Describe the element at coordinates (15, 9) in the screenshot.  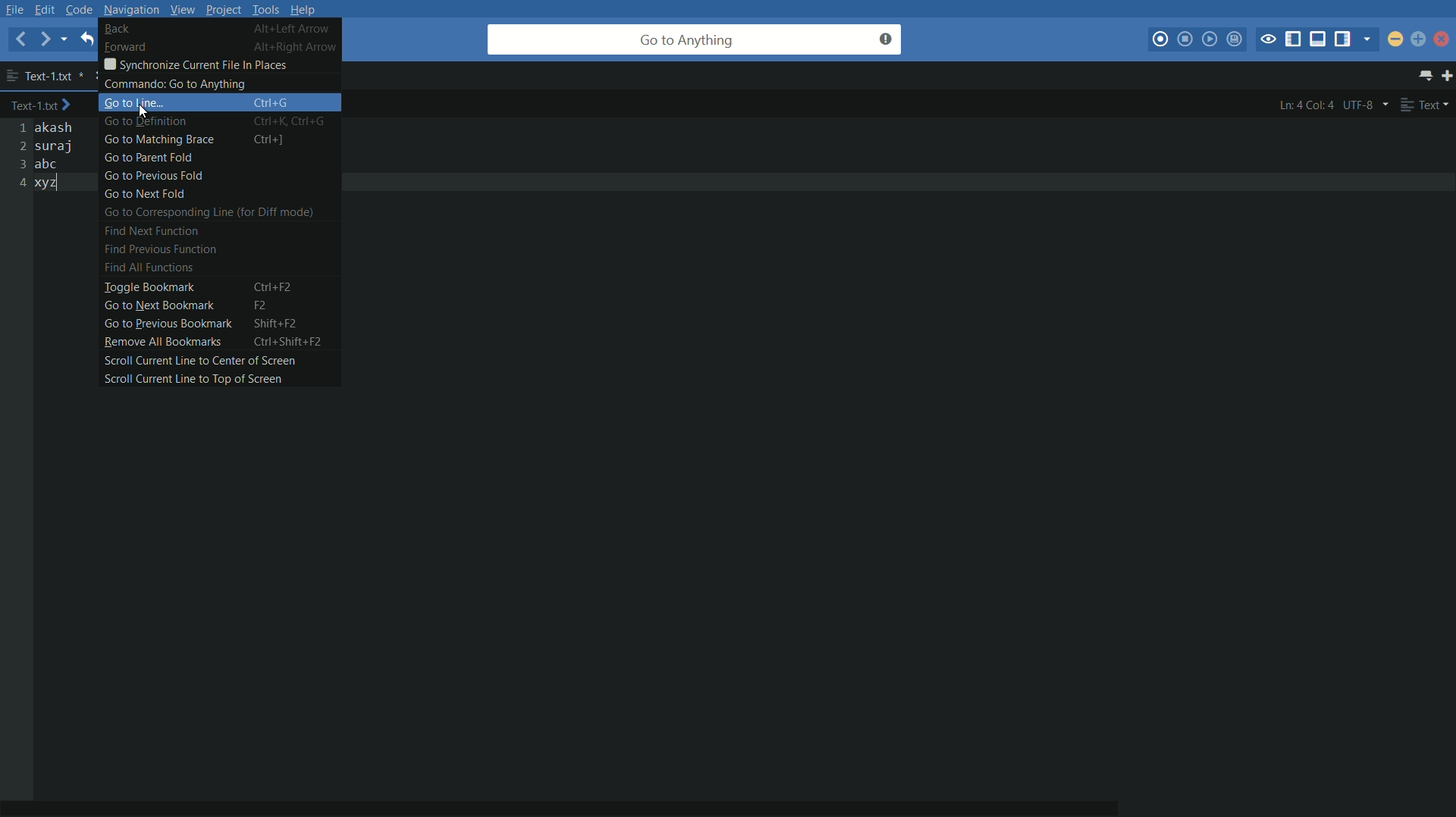
I see `file` at that location.